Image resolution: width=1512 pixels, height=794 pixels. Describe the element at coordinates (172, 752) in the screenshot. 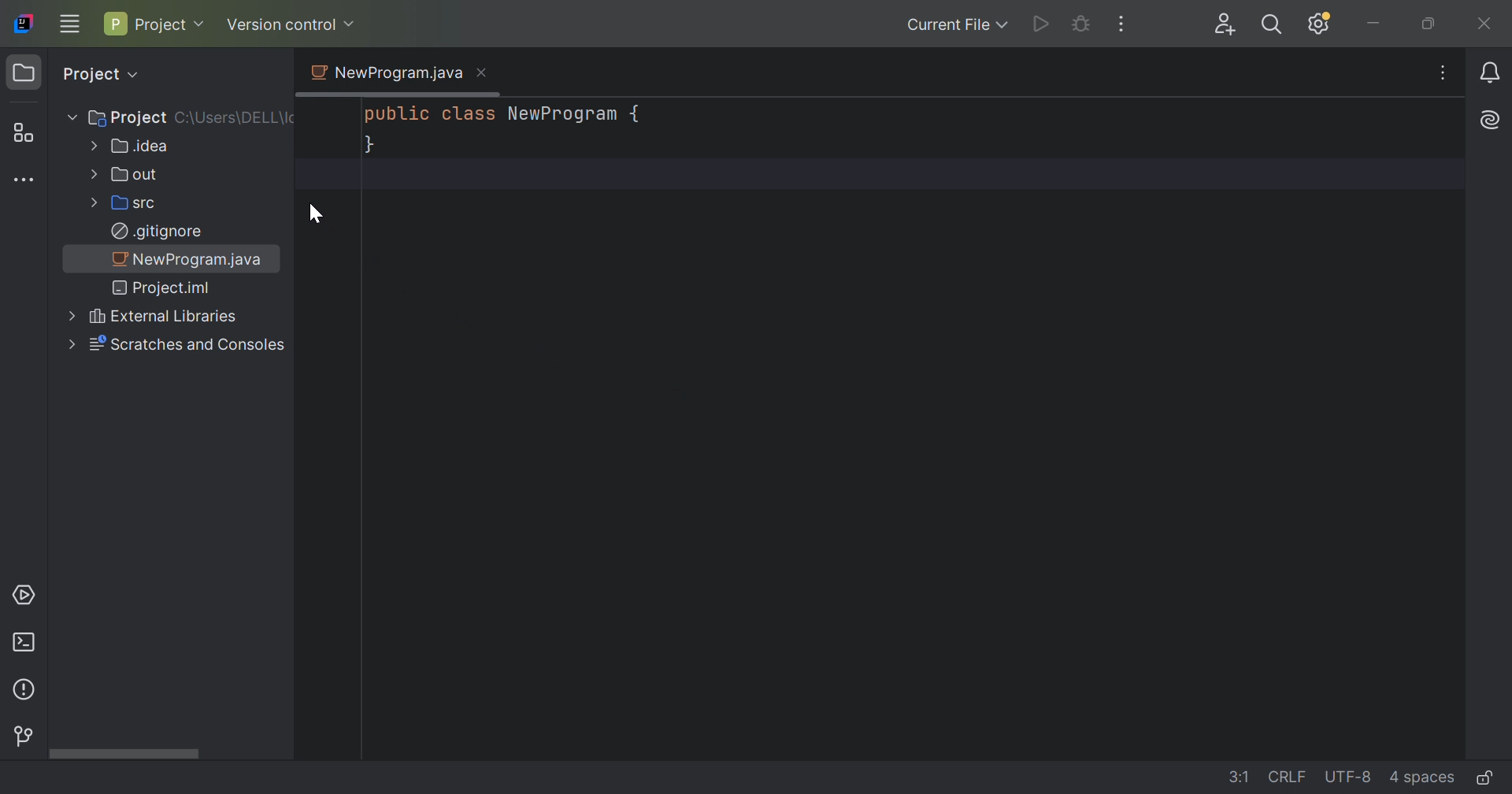

I see `Scroll Bar` at that location.